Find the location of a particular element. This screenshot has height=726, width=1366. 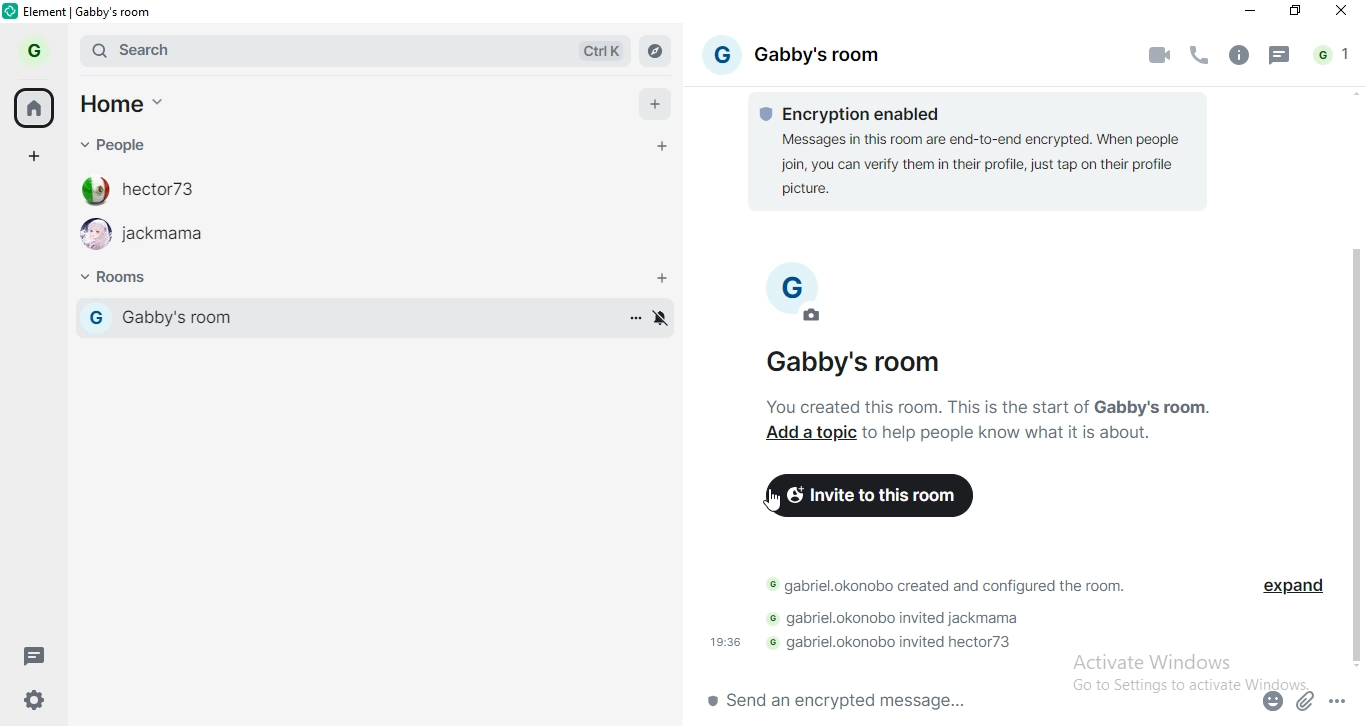

text 2 is located at coordinates (982, 429).